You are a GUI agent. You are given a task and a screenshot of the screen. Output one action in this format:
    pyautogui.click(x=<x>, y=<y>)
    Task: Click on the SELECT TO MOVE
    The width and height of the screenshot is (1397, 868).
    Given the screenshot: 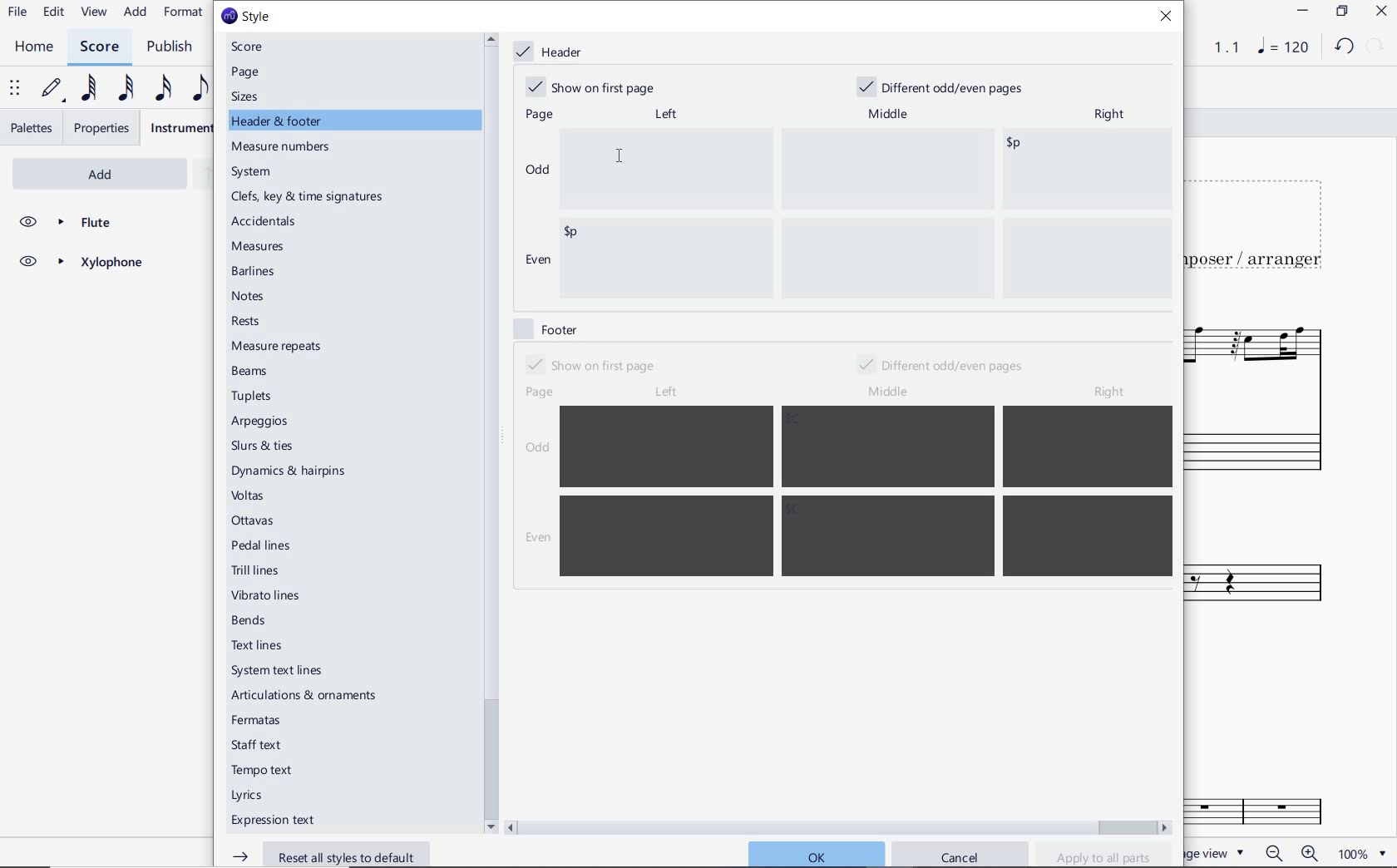 What is the action you would take?
    pyautogui.click(x=15, y=89)
    